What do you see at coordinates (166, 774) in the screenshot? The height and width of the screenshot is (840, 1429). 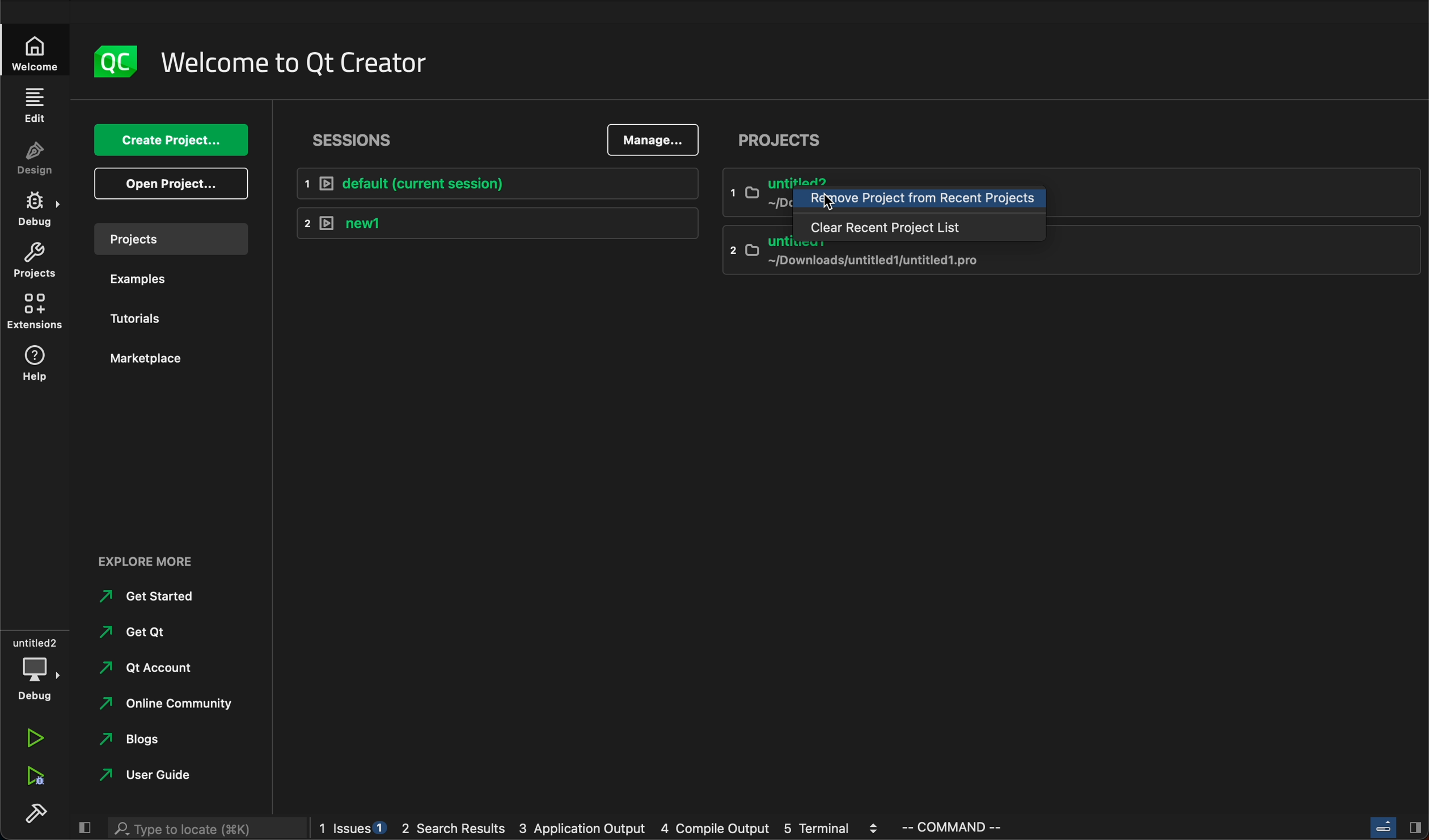 I see `user code` at bounding box center [166, 774].